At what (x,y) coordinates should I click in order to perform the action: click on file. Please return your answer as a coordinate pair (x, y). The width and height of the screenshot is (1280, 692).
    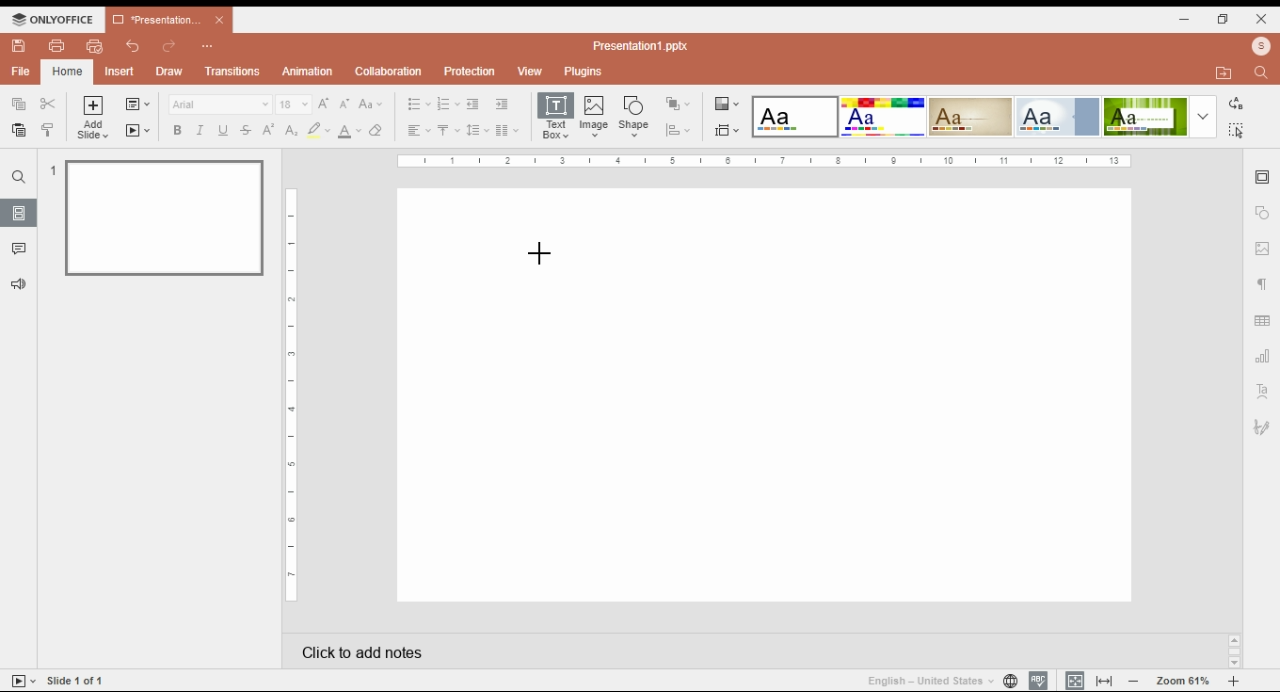
    Looking at the image, I should click on (20, 71).